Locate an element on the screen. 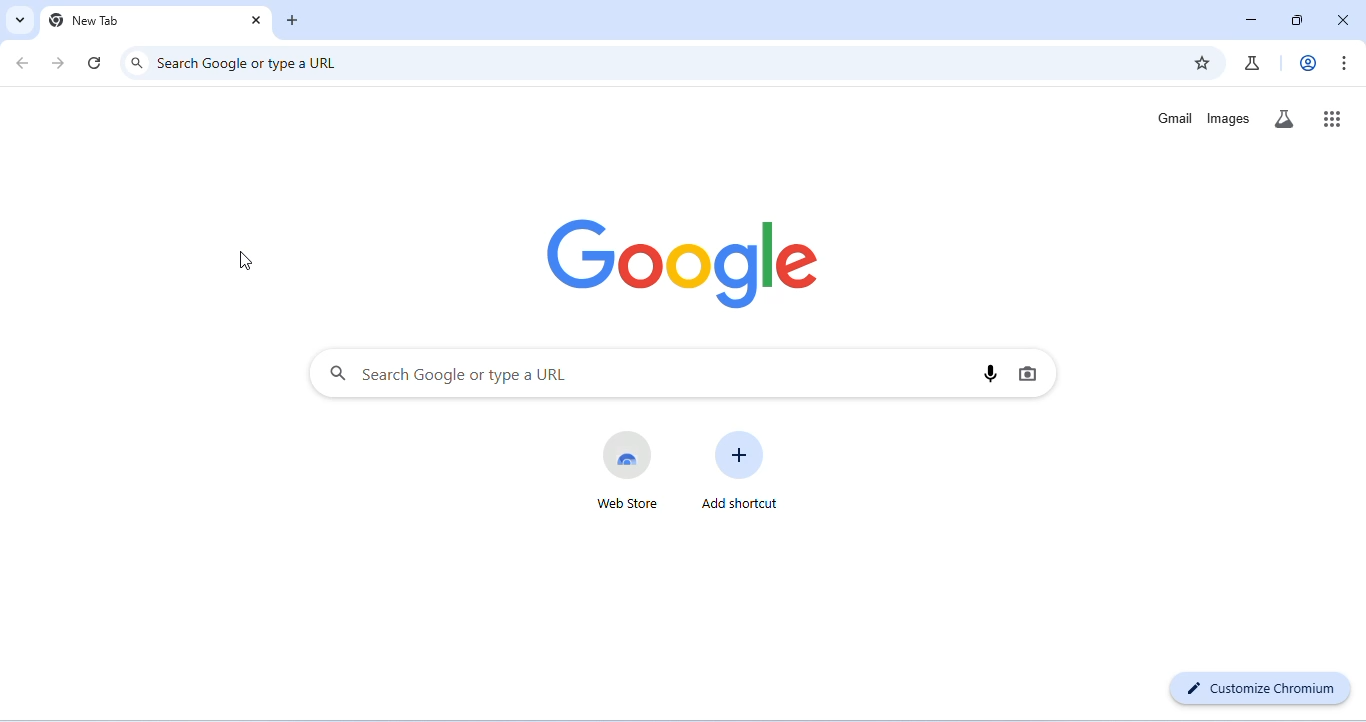  close is located at coordinates (258, 23).